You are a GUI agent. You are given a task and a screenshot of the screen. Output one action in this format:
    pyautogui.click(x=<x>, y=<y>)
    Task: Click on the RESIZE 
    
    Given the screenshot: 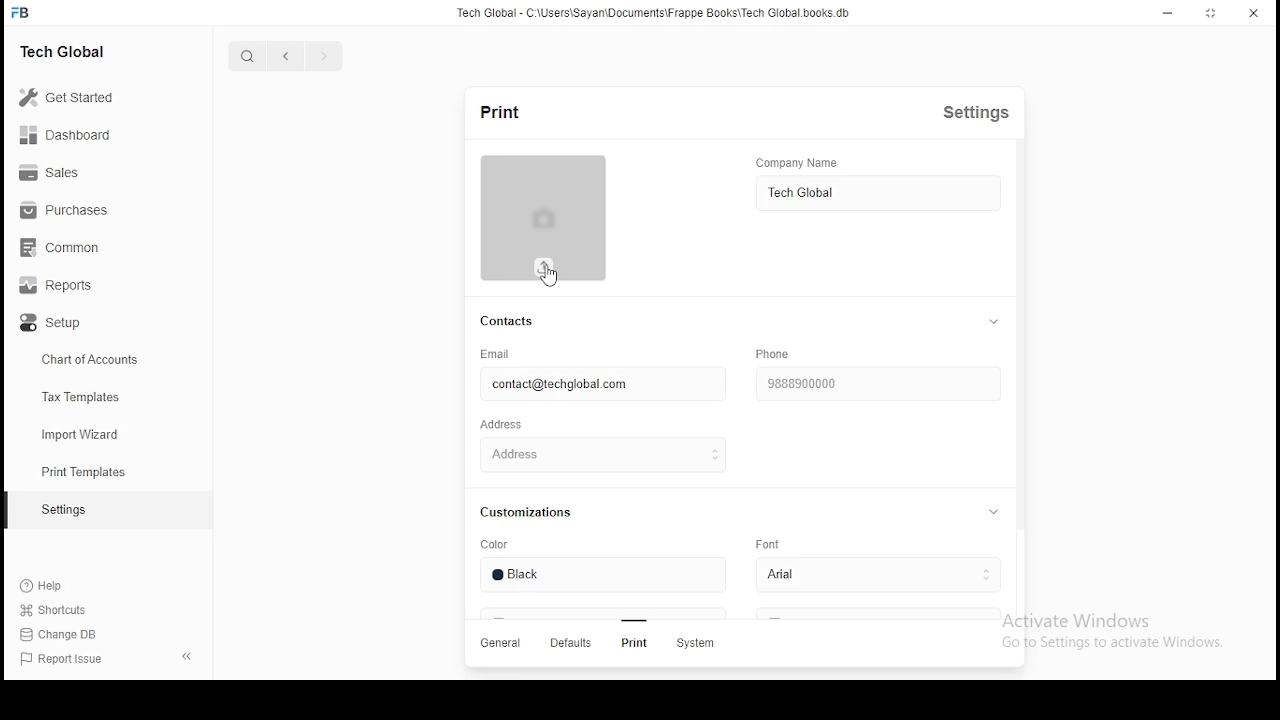 What is the action you would take?
    pyautogui.click(x=1213, y=12)
    